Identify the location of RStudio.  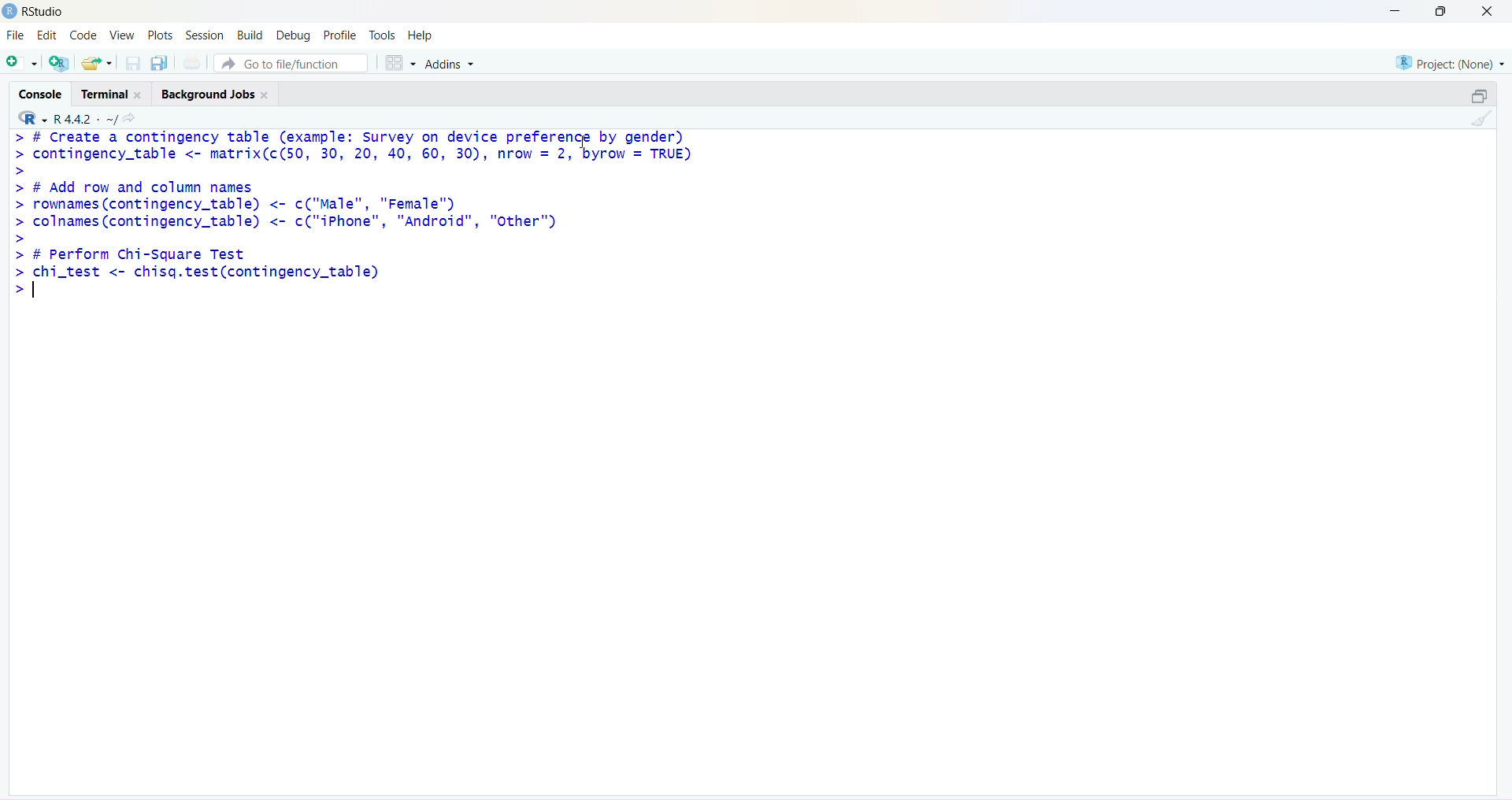
(46, 12).